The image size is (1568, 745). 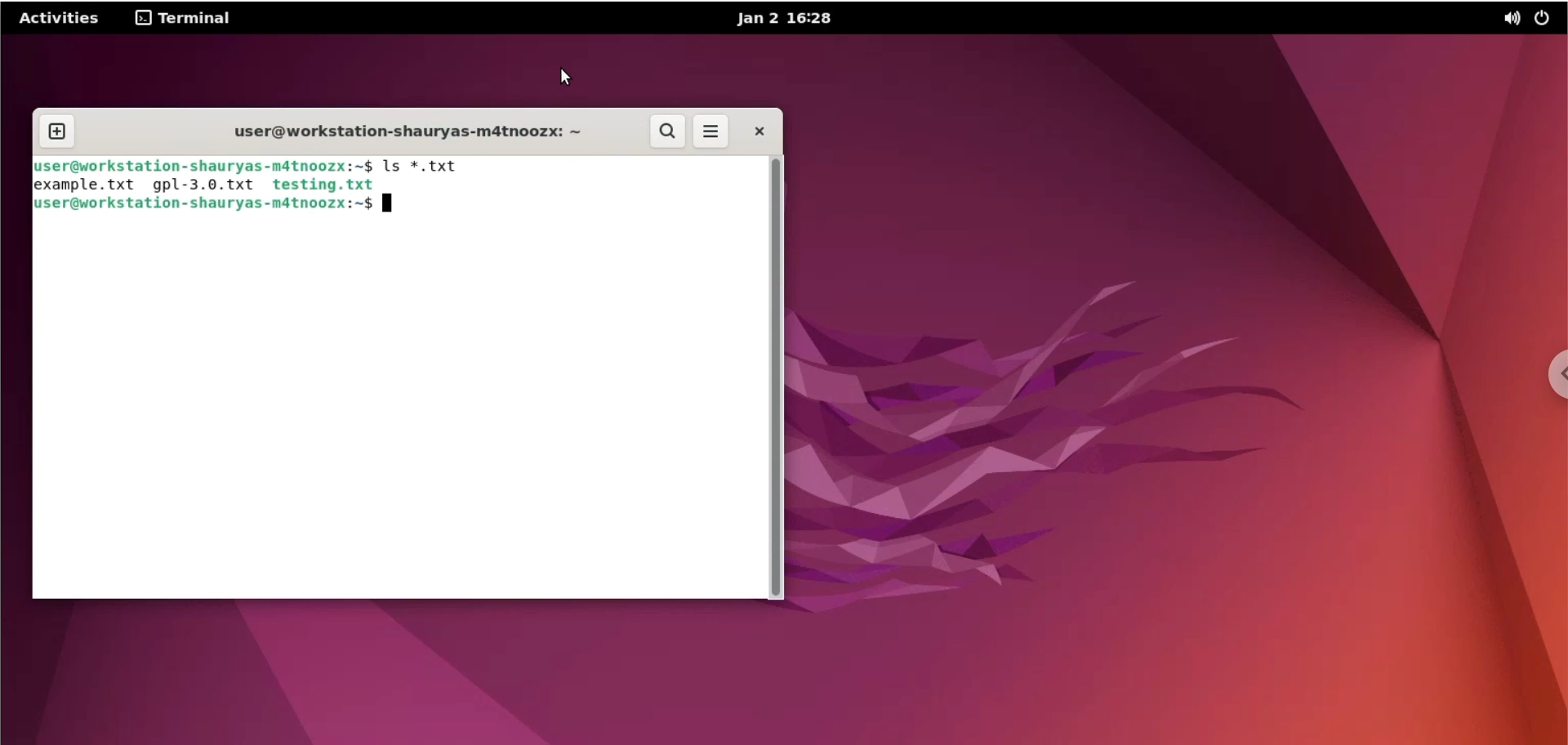 What do you see at coordinates (758, 132) in the screenshot?
I see `close` at bounding box center [758, 132].